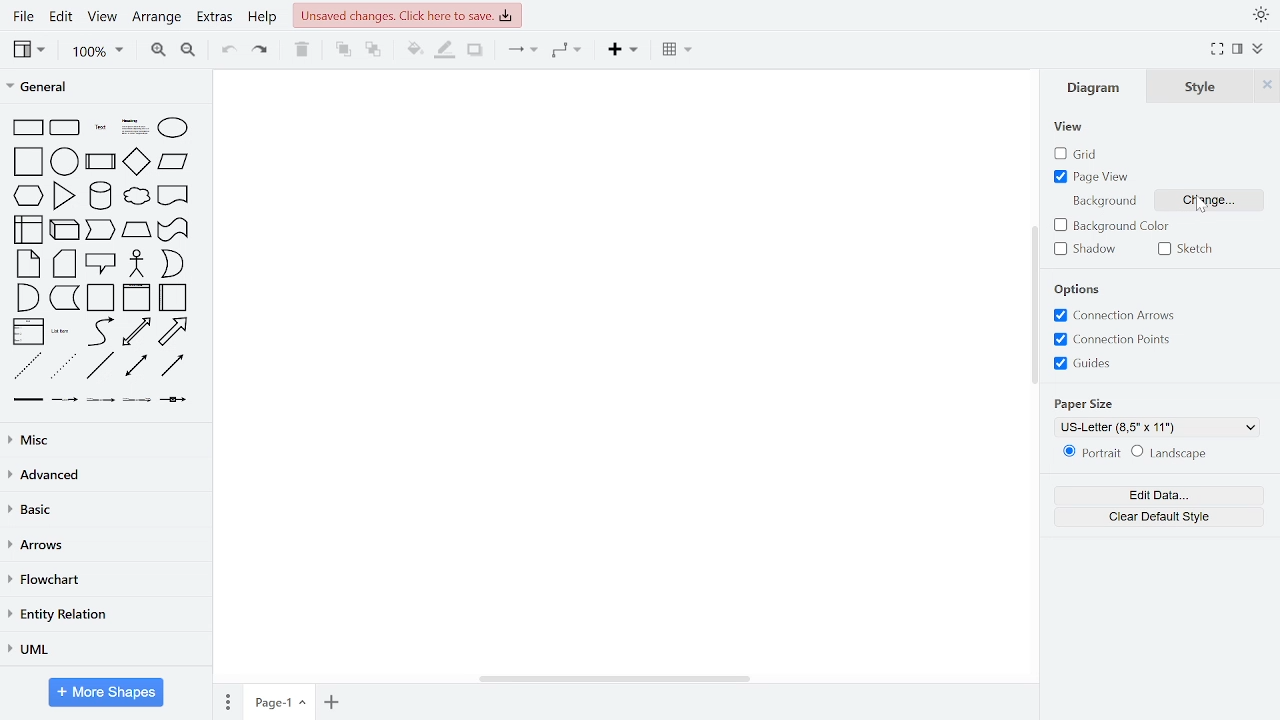 This screenshot has width=1280, height=720. I want to click on diagram, so click(1102, 88).